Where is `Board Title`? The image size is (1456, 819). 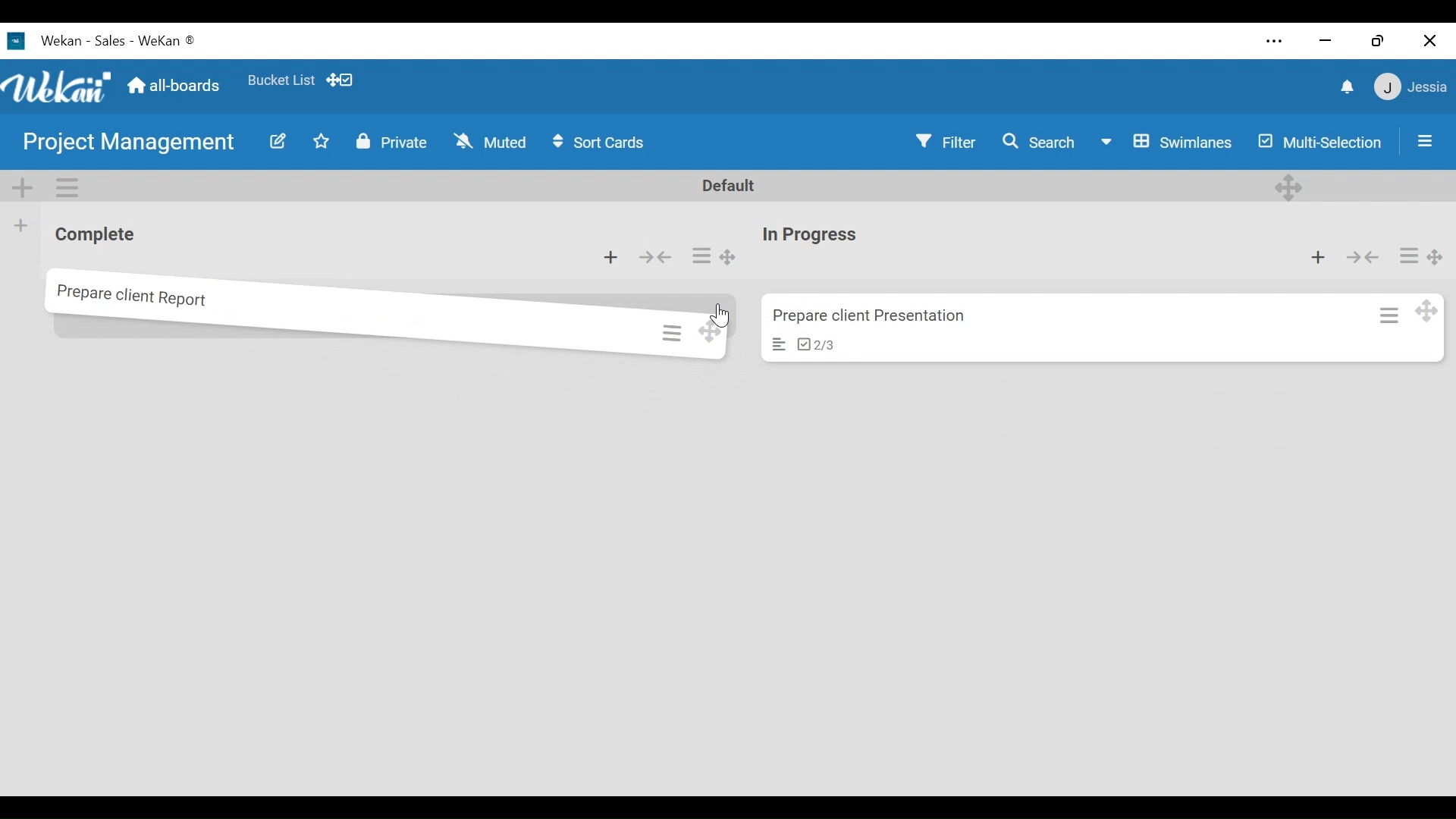 Board Title is located at coordinates (128, 145).